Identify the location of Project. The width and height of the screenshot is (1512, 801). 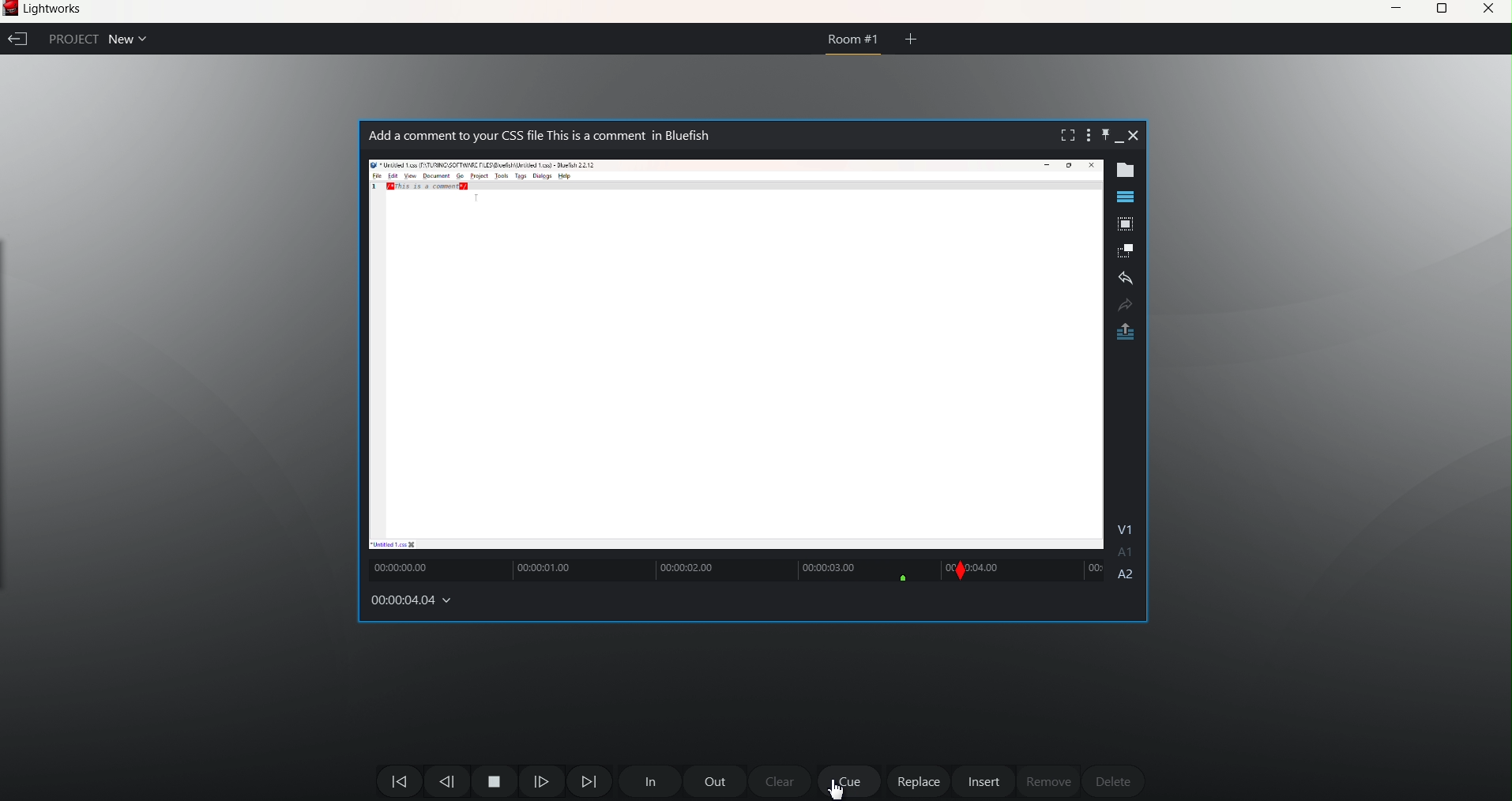
(68, 38).